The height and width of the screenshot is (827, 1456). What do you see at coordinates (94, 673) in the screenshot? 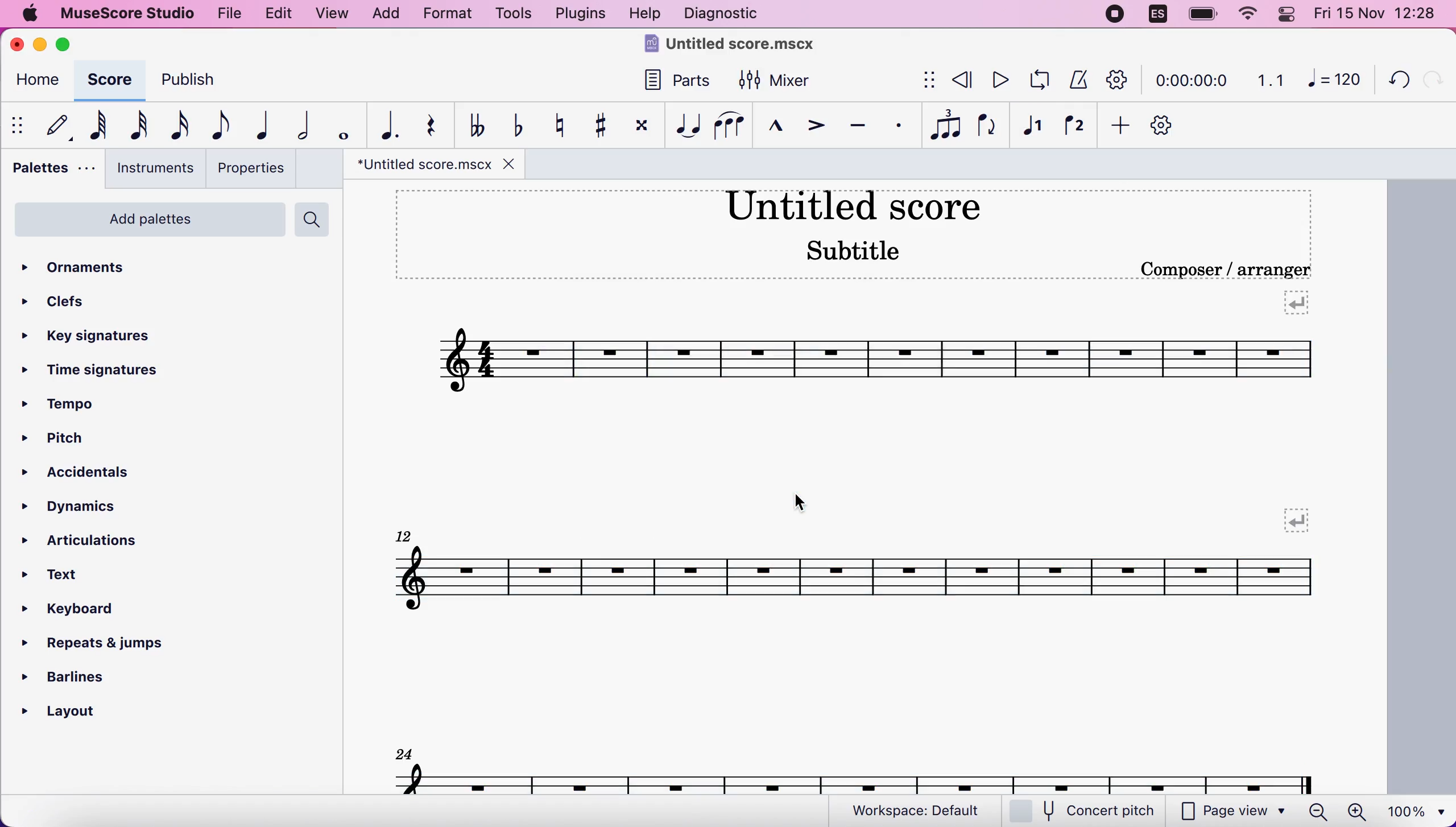
I see `barlines` at bounding box center [94, 673].